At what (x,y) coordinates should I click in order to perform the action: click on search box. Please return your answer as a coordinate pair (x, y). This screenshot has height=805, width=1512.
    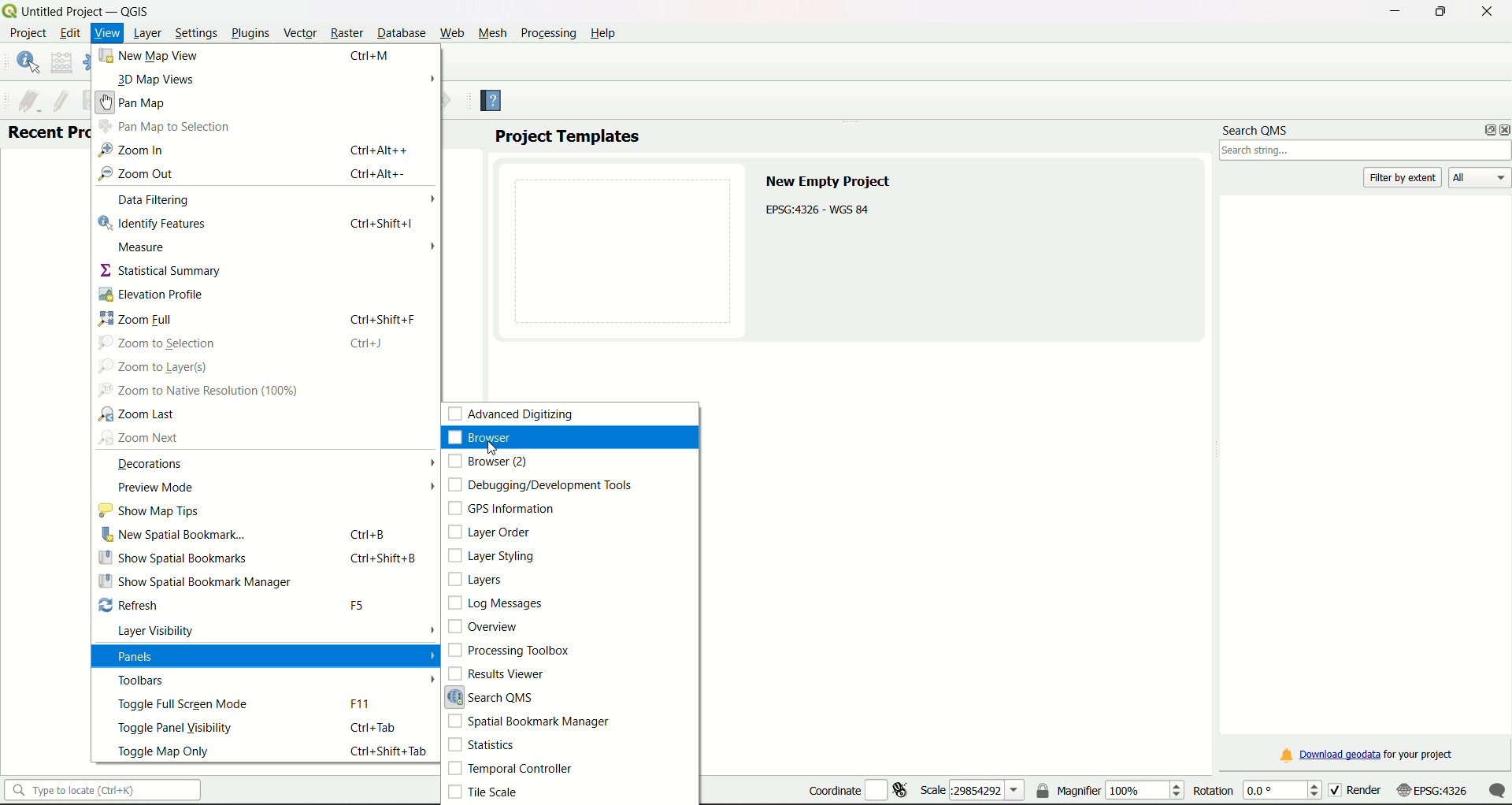
    Looking at the image, I should click on (1366, 151).